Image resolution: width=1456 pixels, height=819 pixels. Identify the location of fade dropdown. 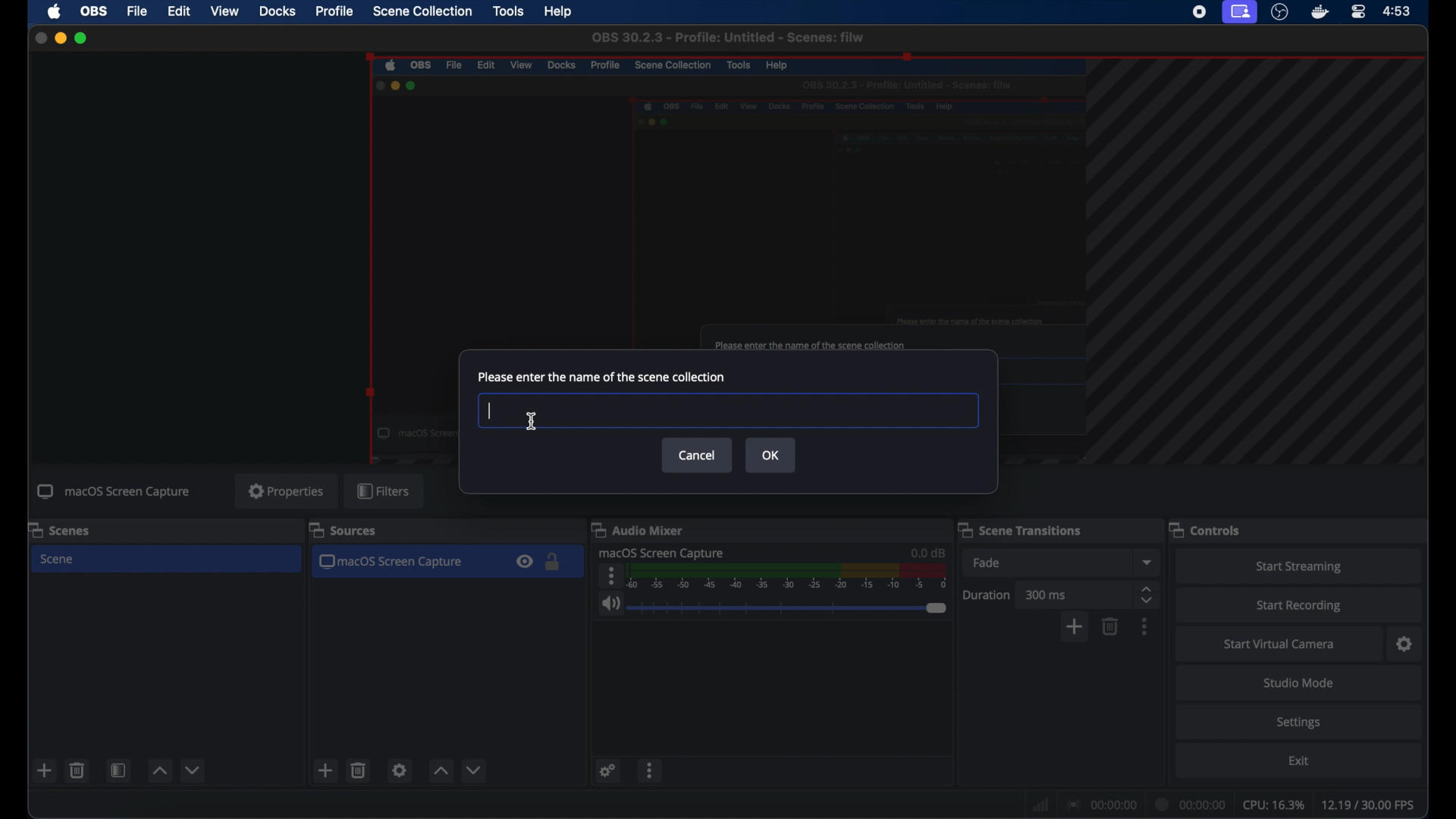
(1147, 562).